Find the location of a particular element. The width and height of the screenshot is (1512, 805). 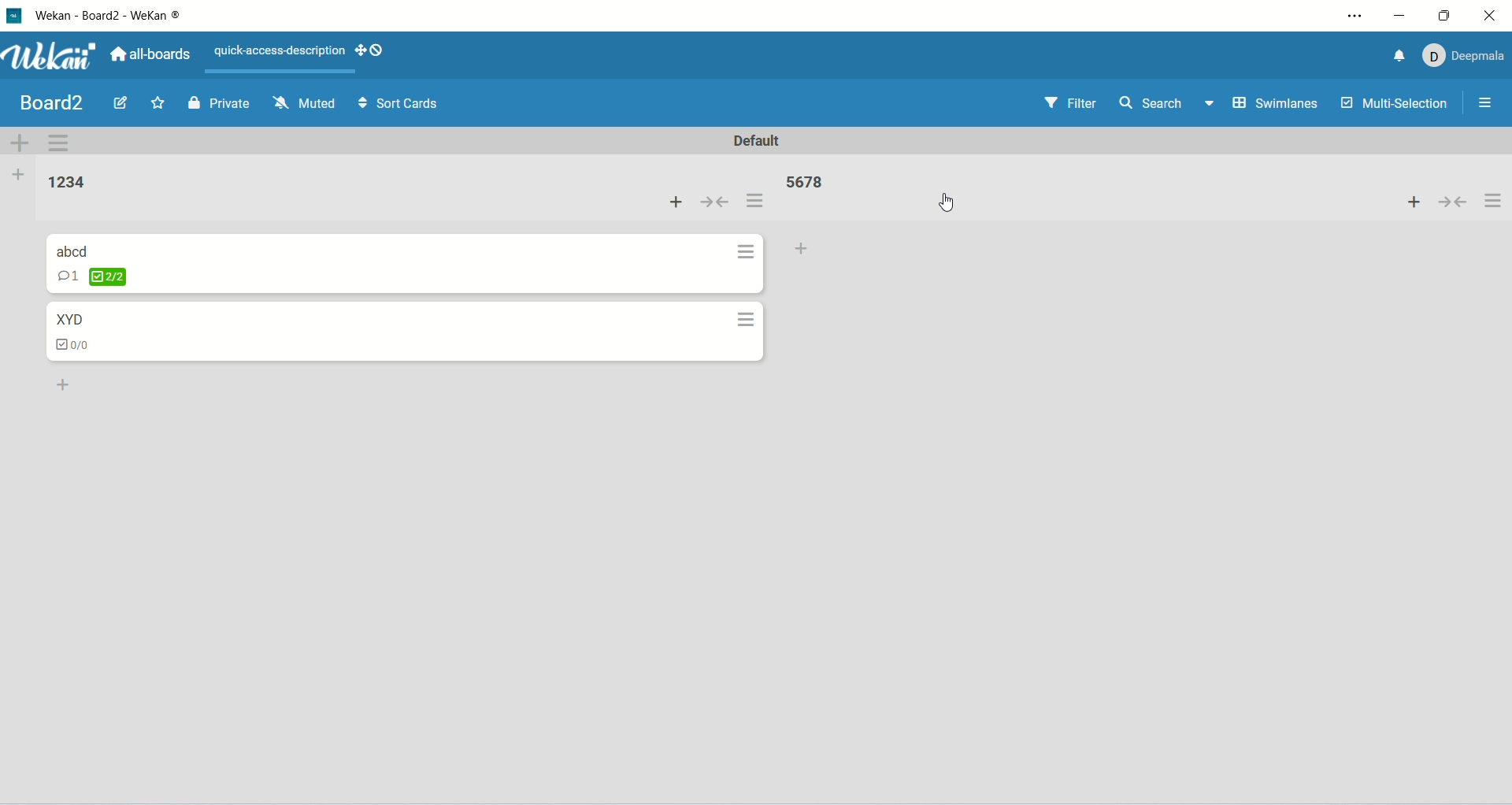

options is located at coordinates (754, 200).